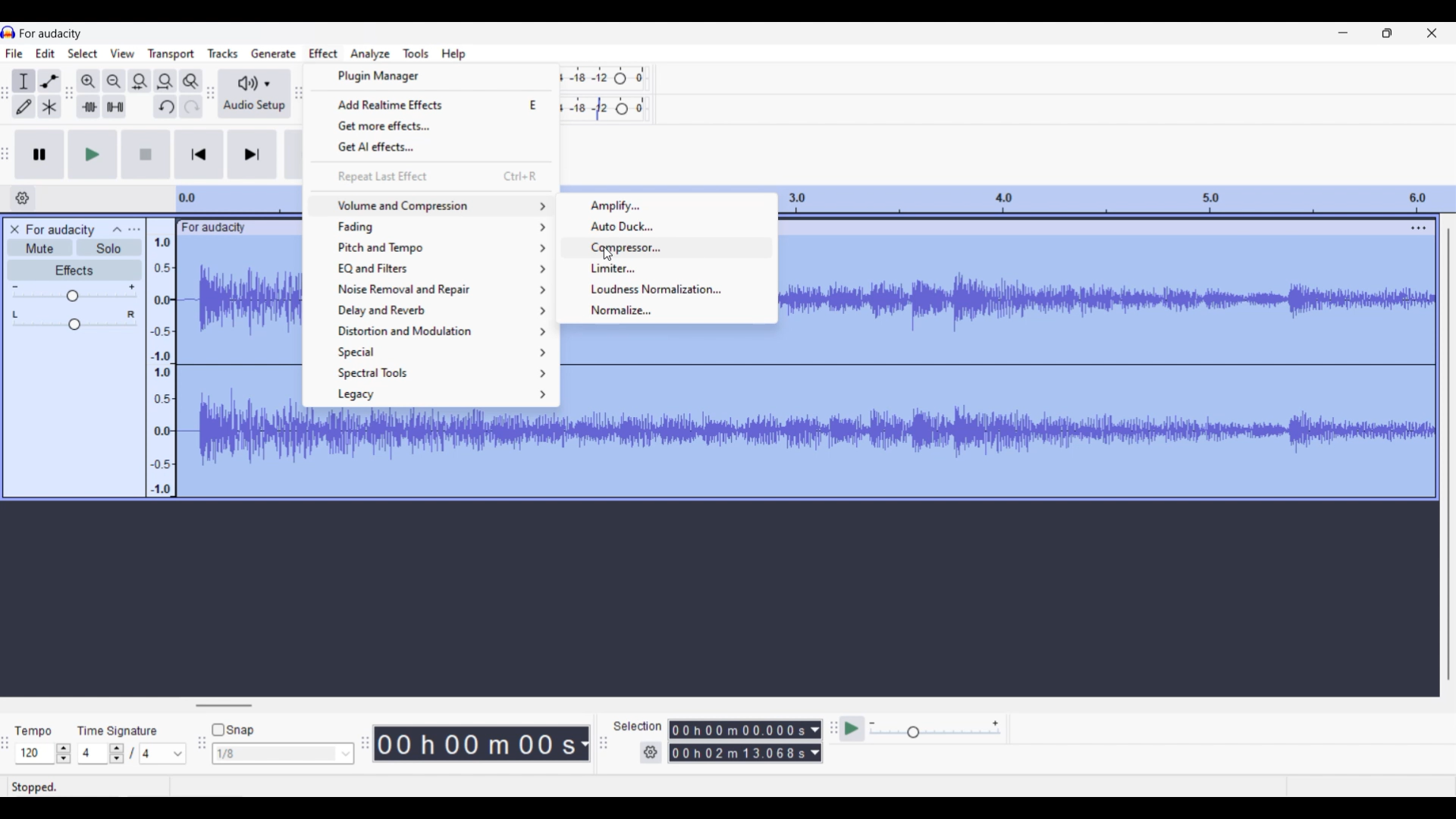 This screenshot has height=819, width=1456. I want to click on Mute, so click(39, 247).